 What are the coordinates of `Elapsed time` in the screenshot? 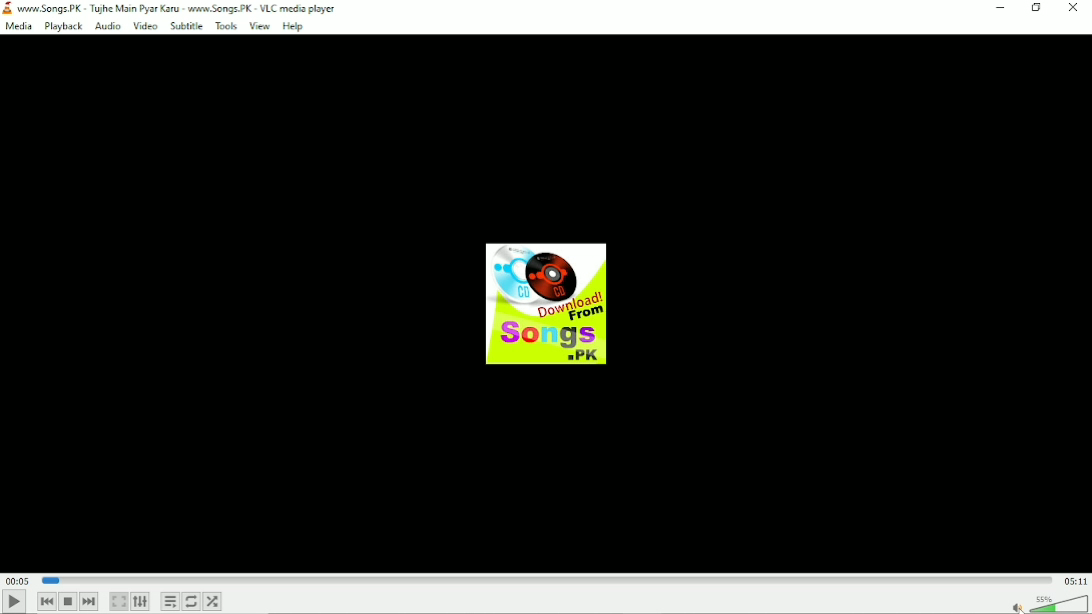 It's located at (17, 579).